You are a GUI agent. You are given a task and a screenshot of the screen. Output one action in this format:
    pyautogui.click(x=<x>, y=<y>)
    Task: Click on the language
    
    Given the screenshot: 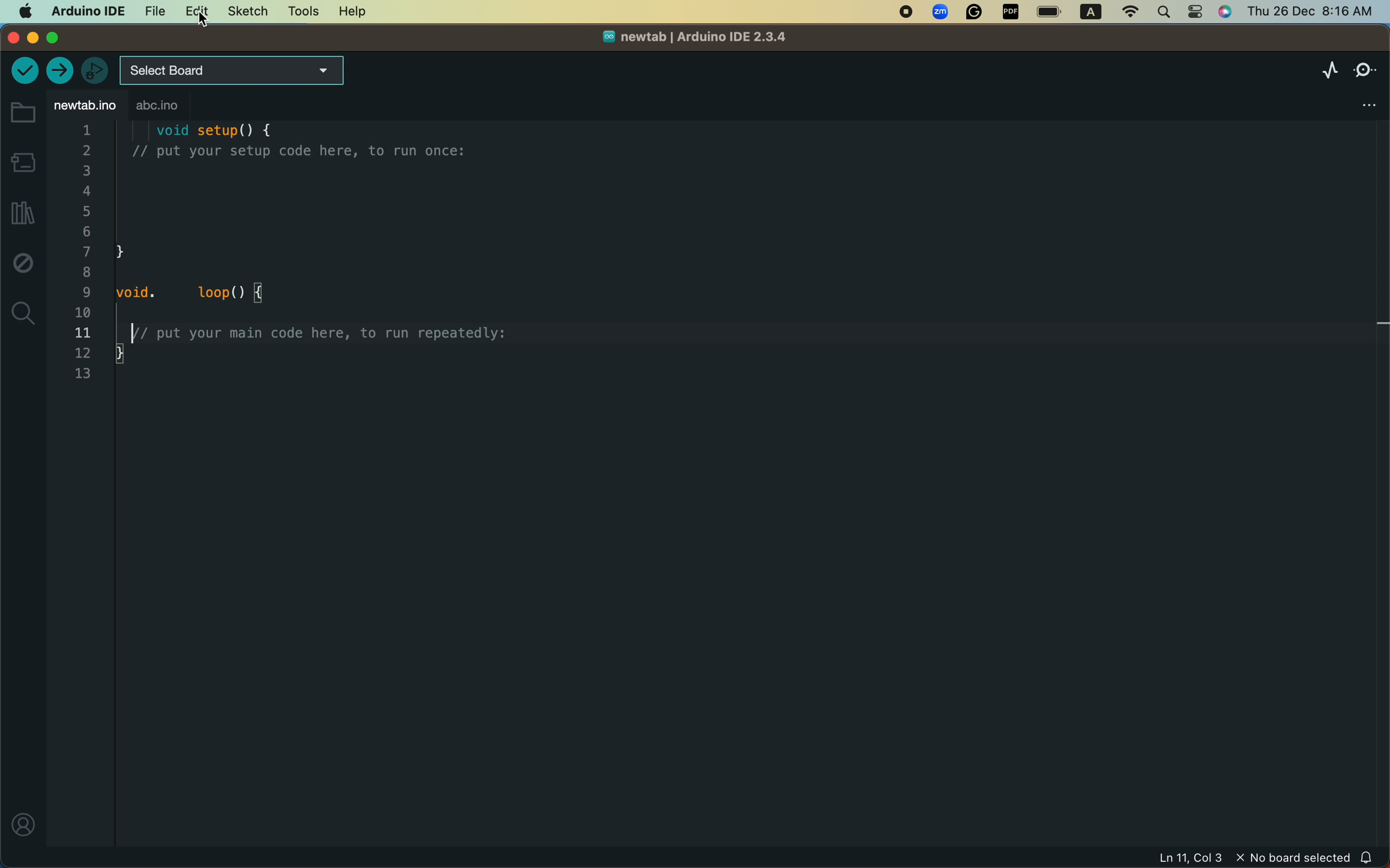 What is the action you would take?
    pyautogui.click(x=1086, y=13)
    